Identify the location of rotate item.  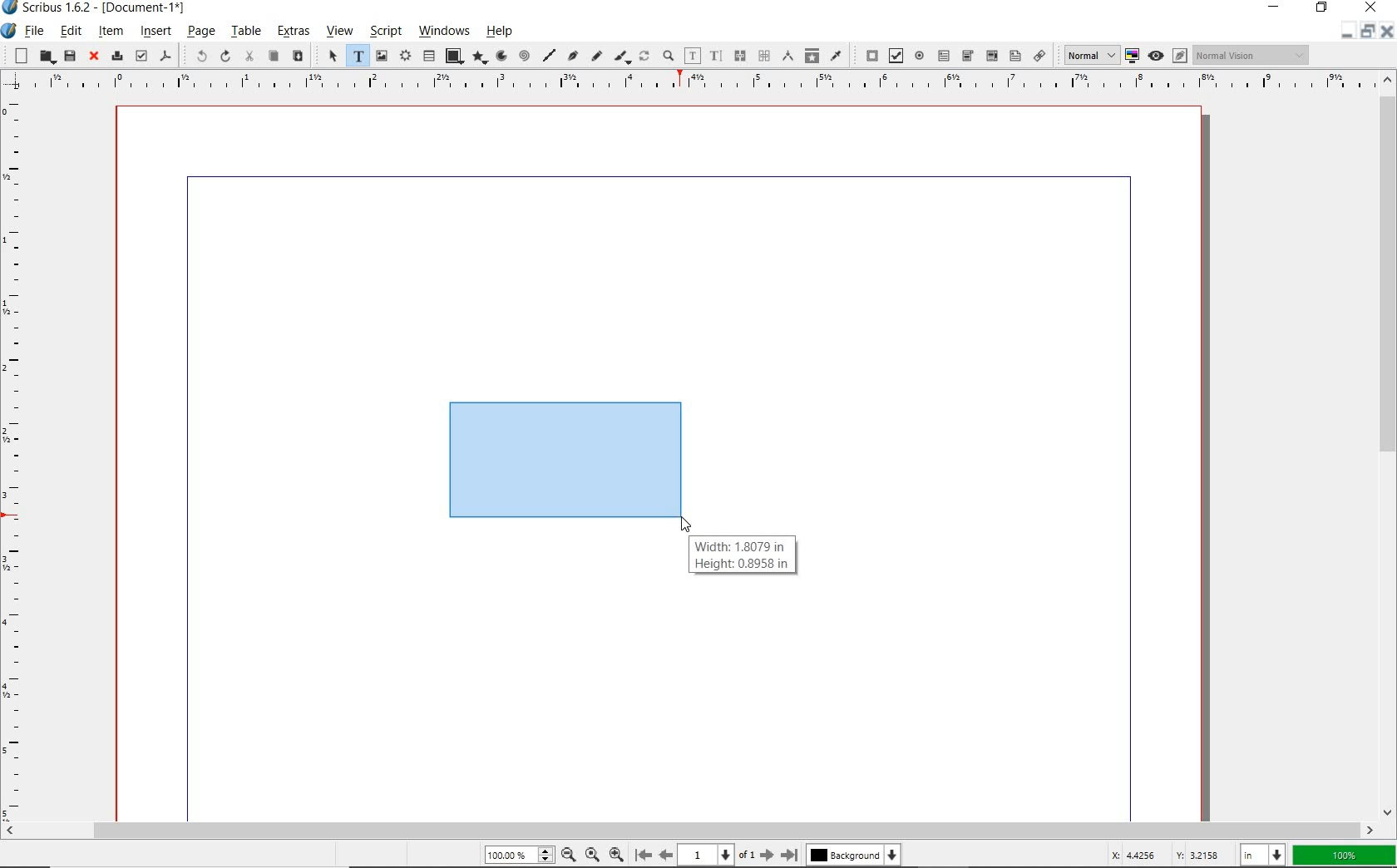
(644, 57).